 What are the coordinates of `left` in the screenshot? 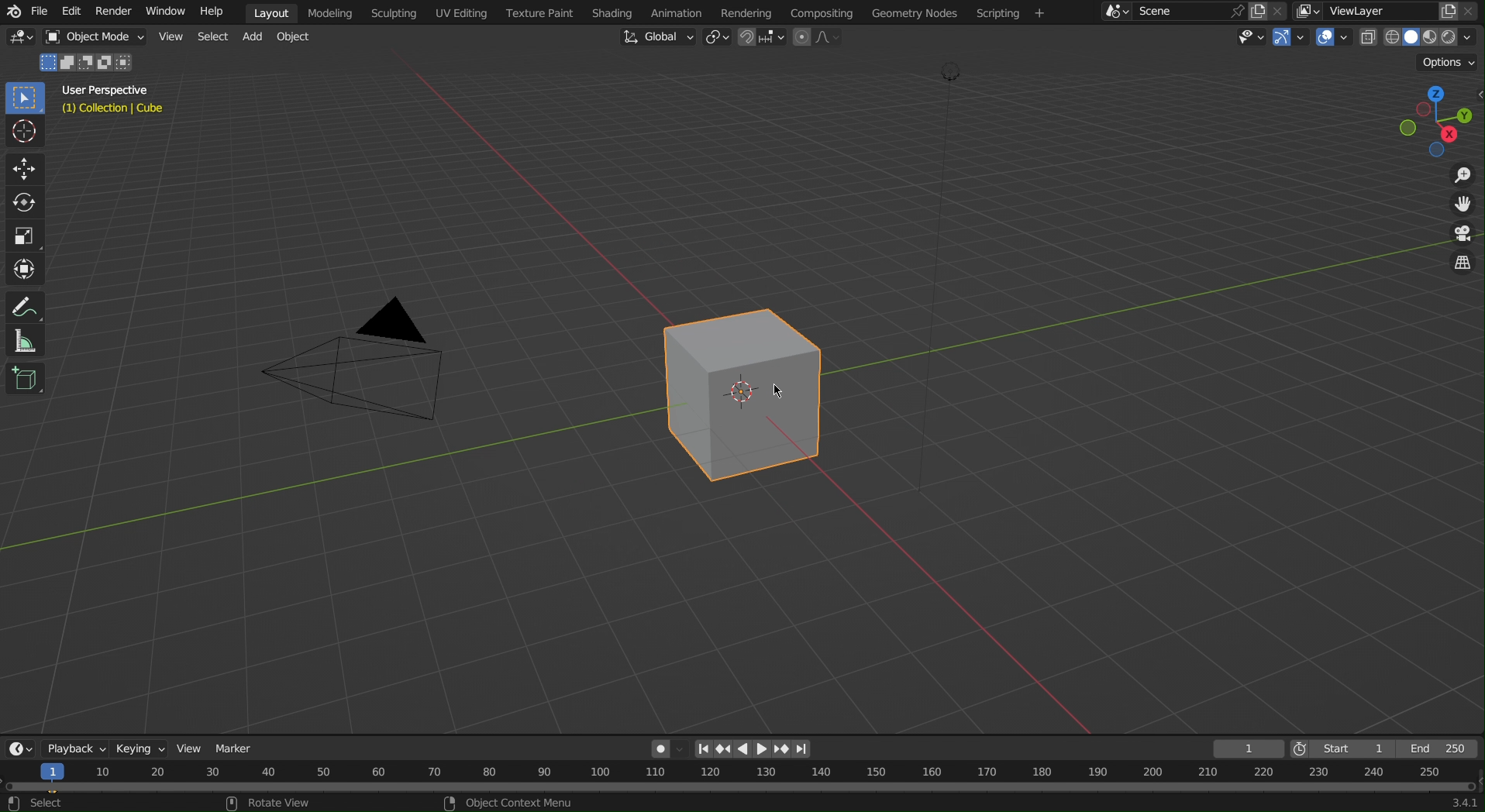 It's located at (742, 749).